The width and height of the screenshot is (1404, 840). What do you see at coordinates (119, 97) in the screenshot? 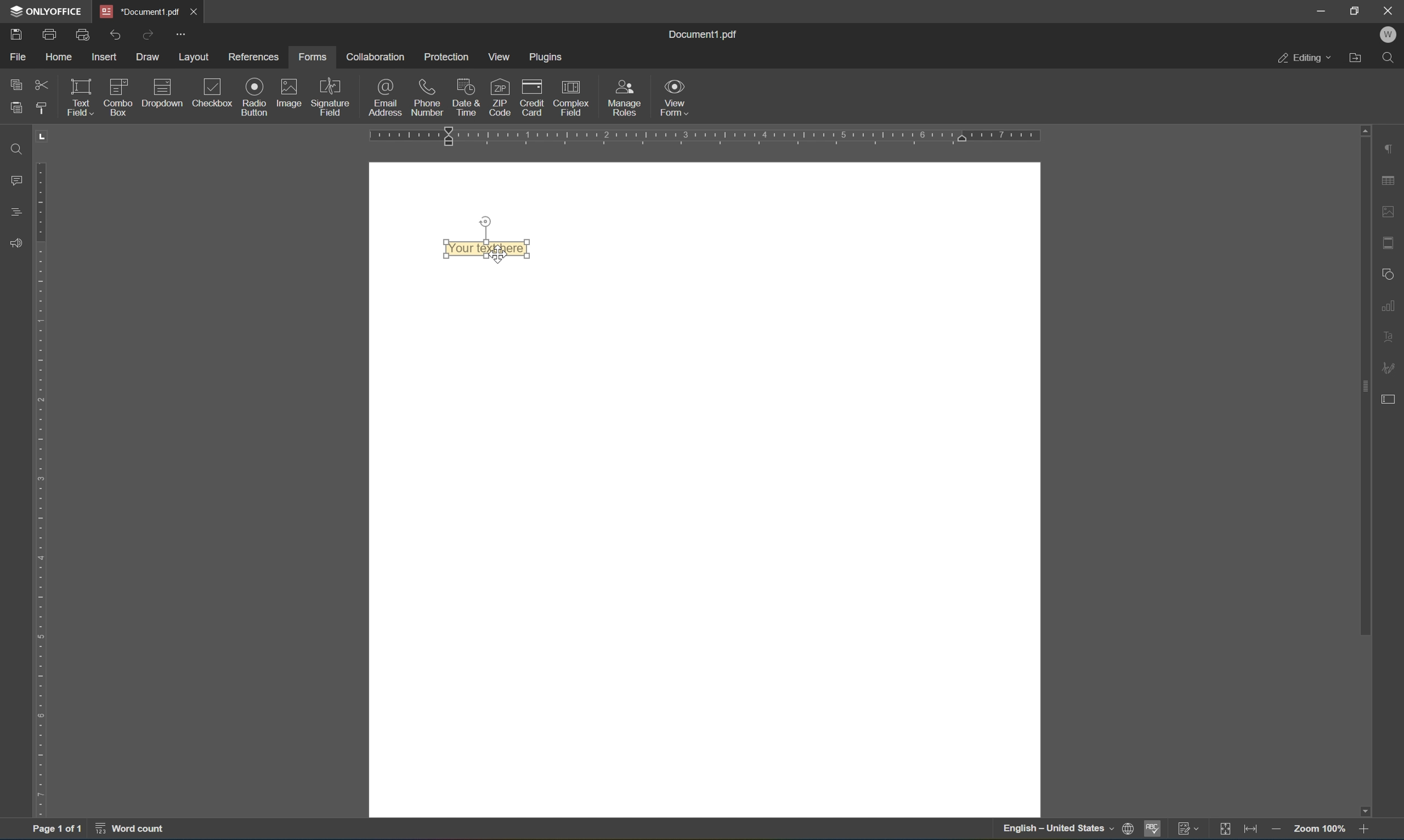
I see `combo box` at bounding box center [119, 97].